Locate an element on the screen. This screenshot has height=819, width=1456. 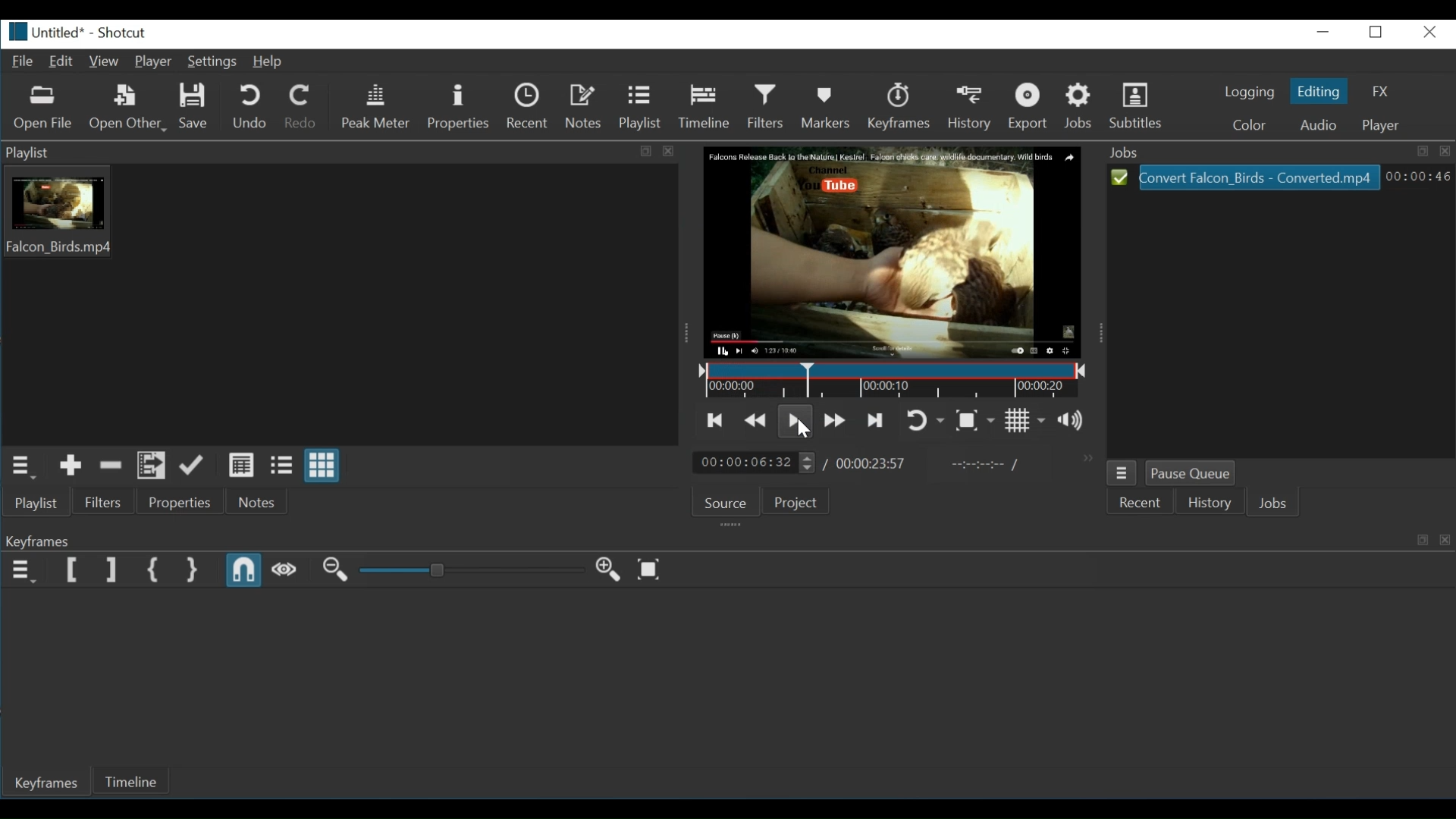
Set Filter End is located at coordinates (110, 570).